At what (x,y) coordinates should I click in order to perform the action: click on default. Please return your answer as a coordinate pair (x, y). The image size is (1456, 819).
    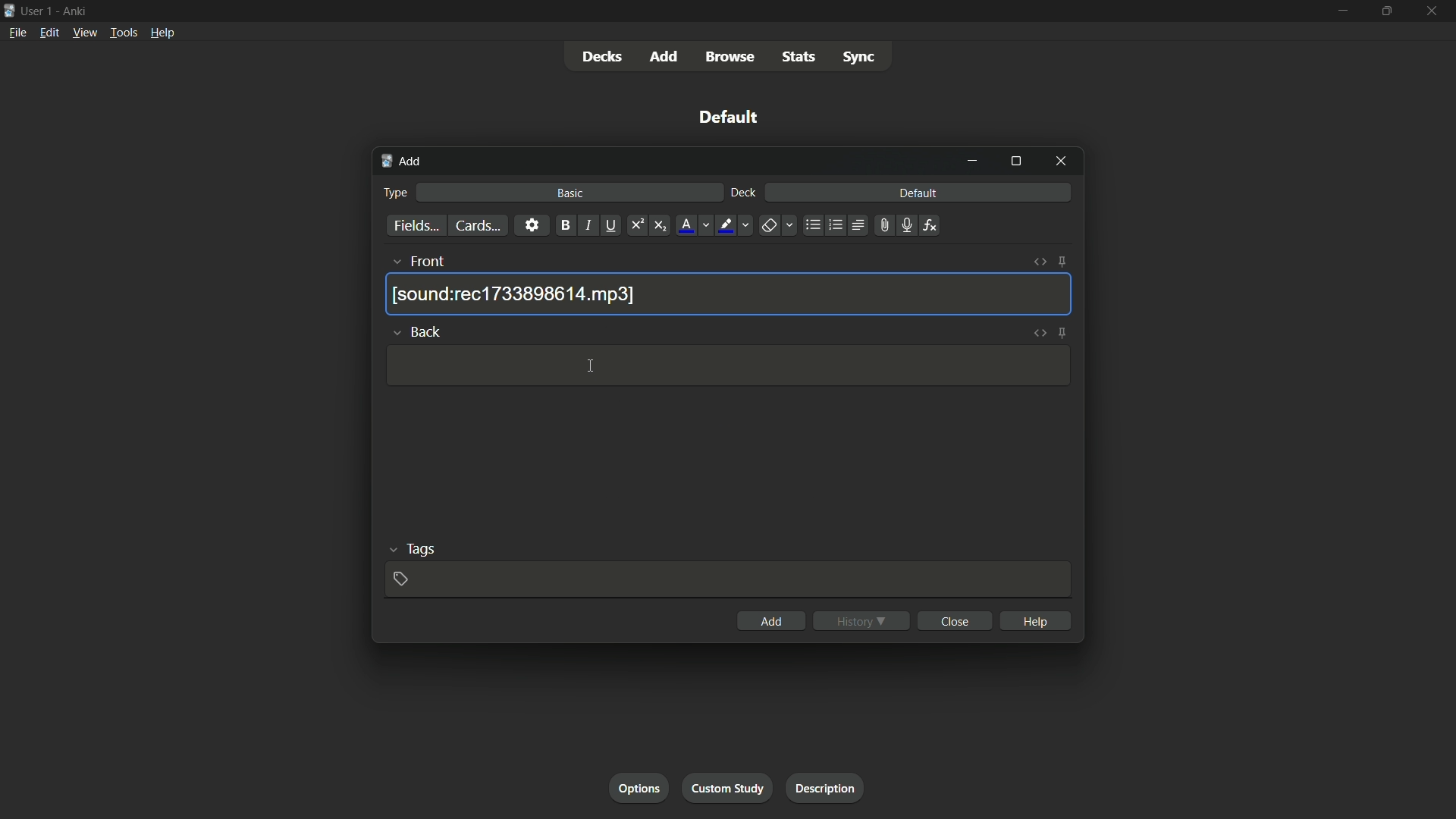
    Looking at the image, I should click on (918, 193).